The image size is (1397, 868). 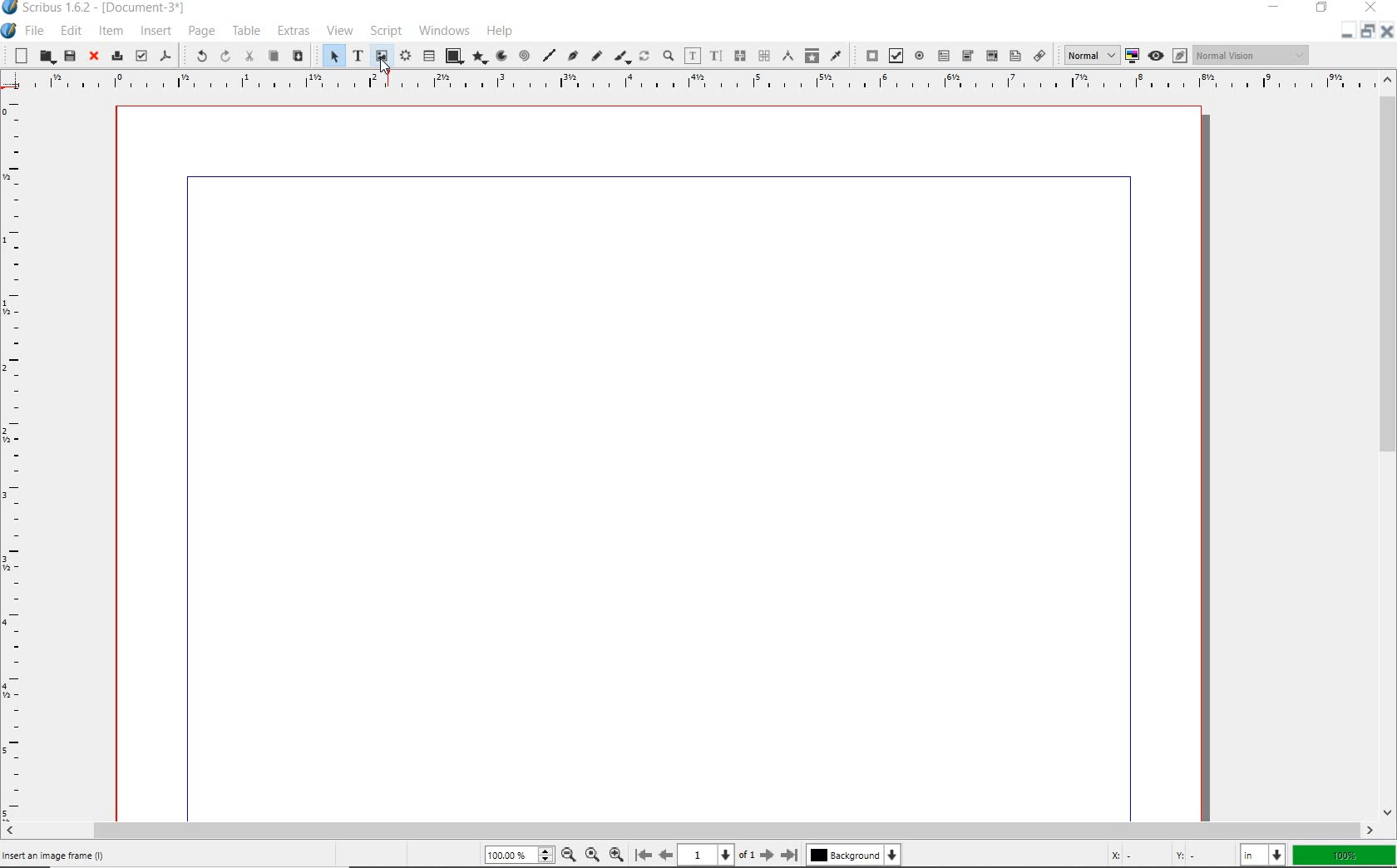 I want to click on restore, so click(x=1366, y=35).